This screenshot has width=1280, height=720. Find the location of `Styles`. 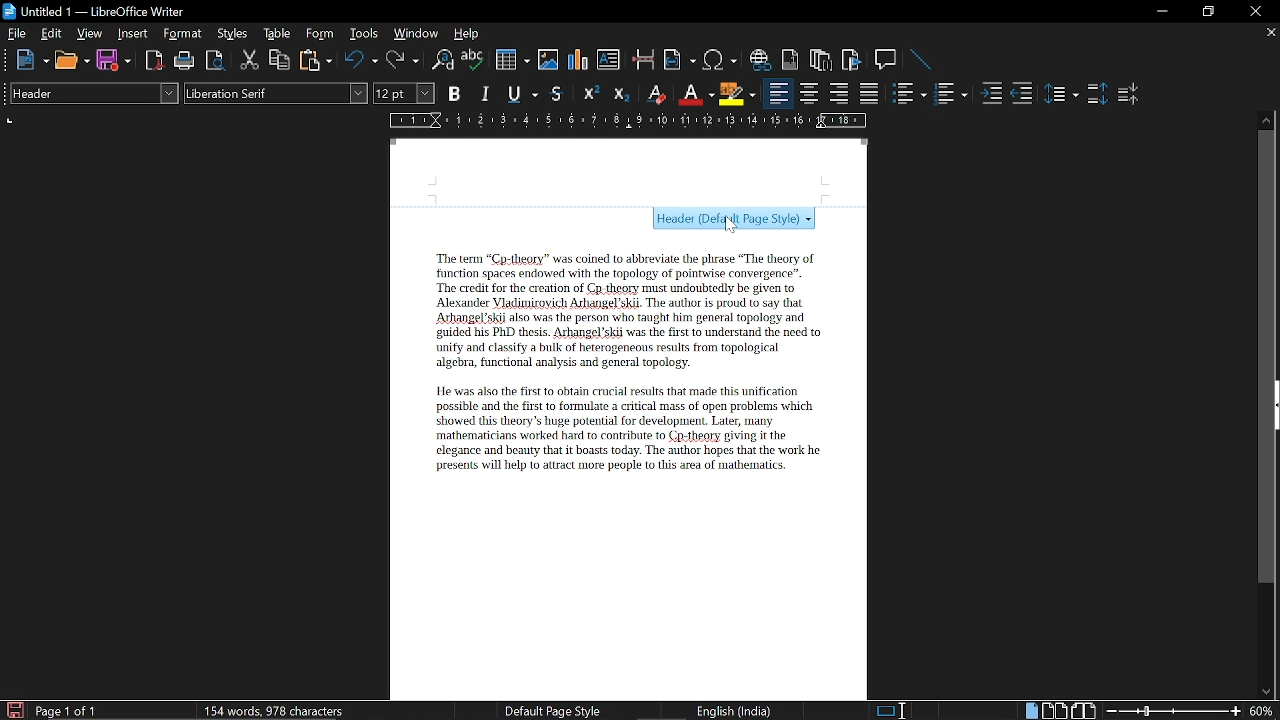

Styles is located at coordinates (233, 34).